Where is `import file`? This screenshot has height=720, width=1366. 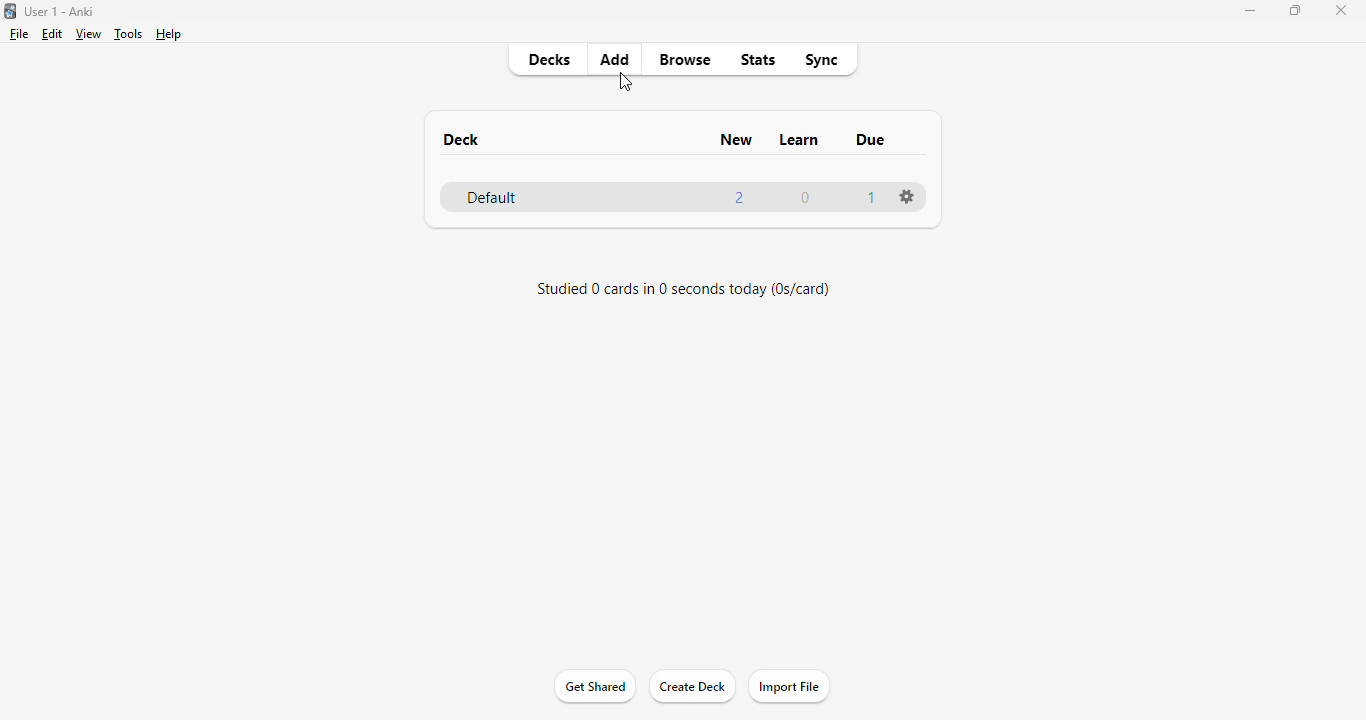 import file is located at coordinates (788, 687).